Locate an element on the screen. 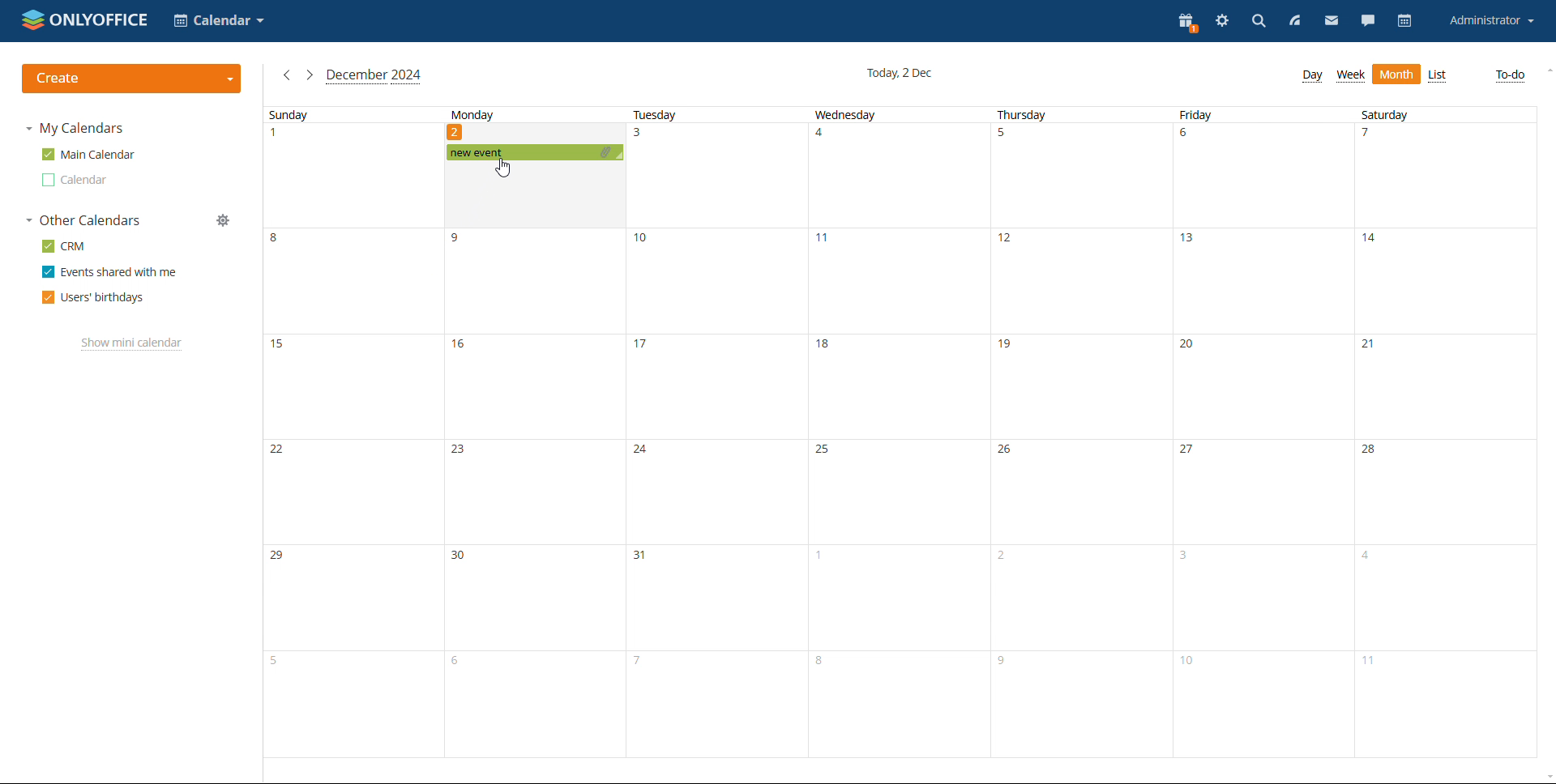  Tuesday is located at coordinates (656, 113).